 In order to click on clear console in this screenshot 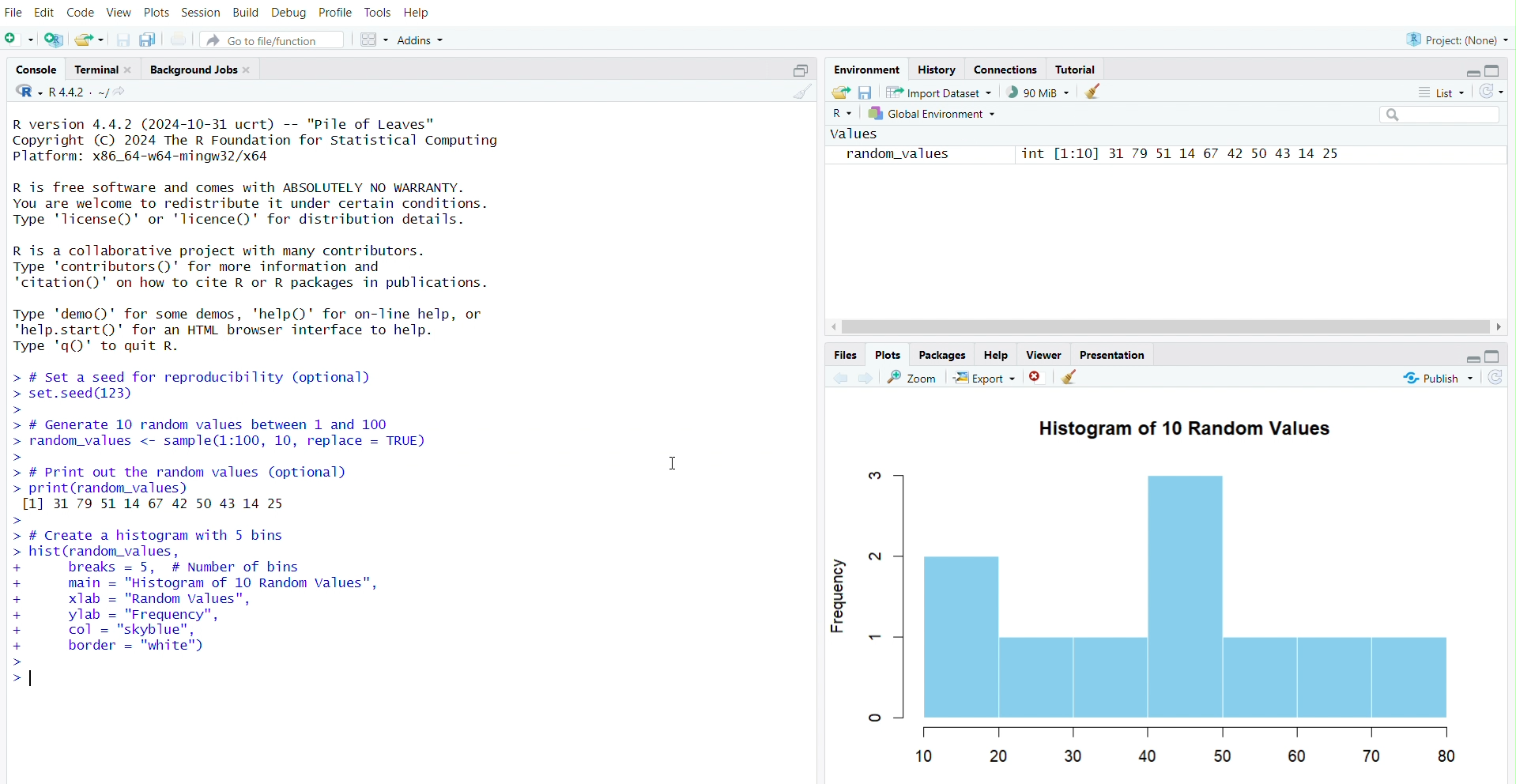, I will do `click(799, 92)`.